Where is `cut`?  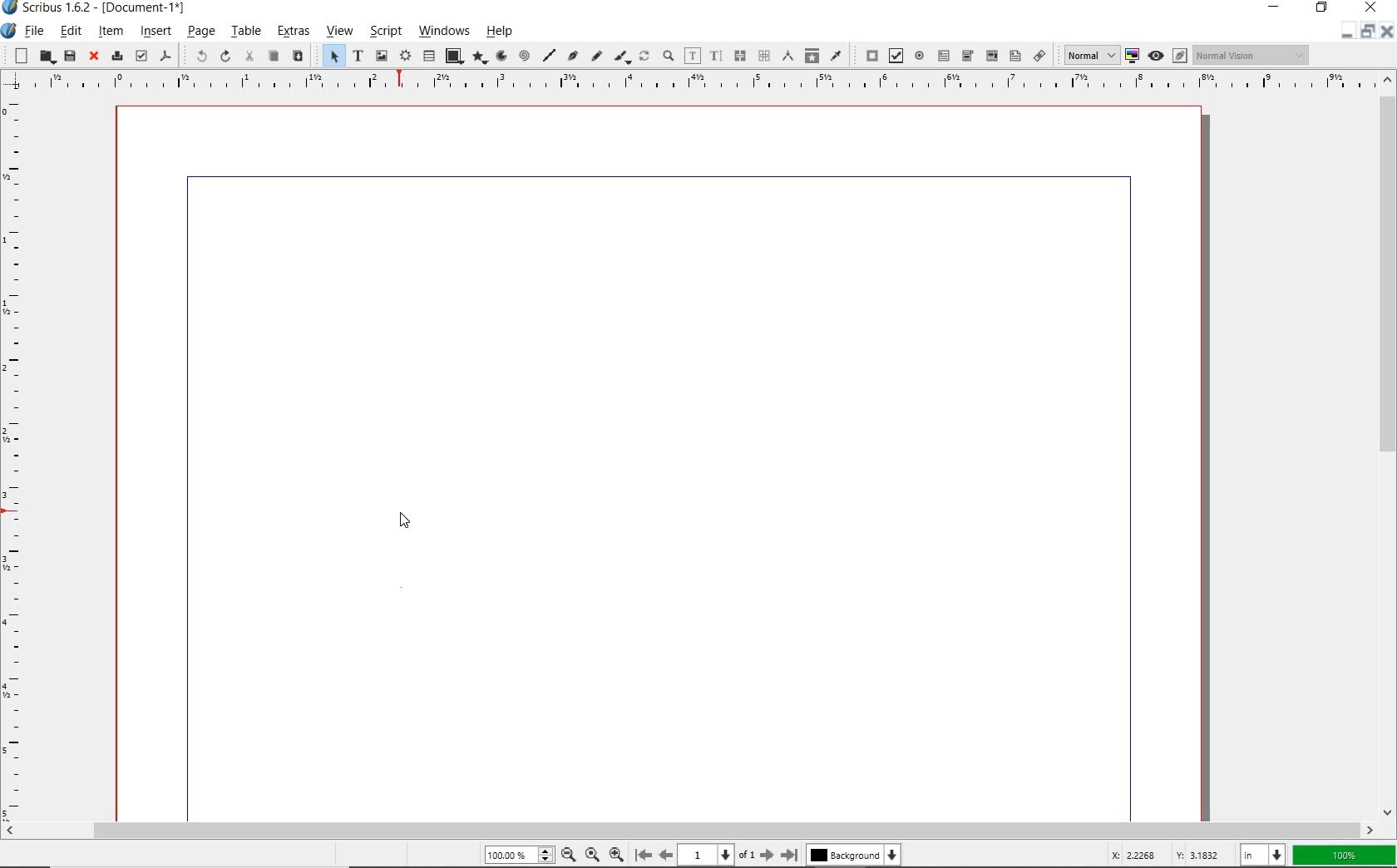
cut is located at coordinates (249, 57).